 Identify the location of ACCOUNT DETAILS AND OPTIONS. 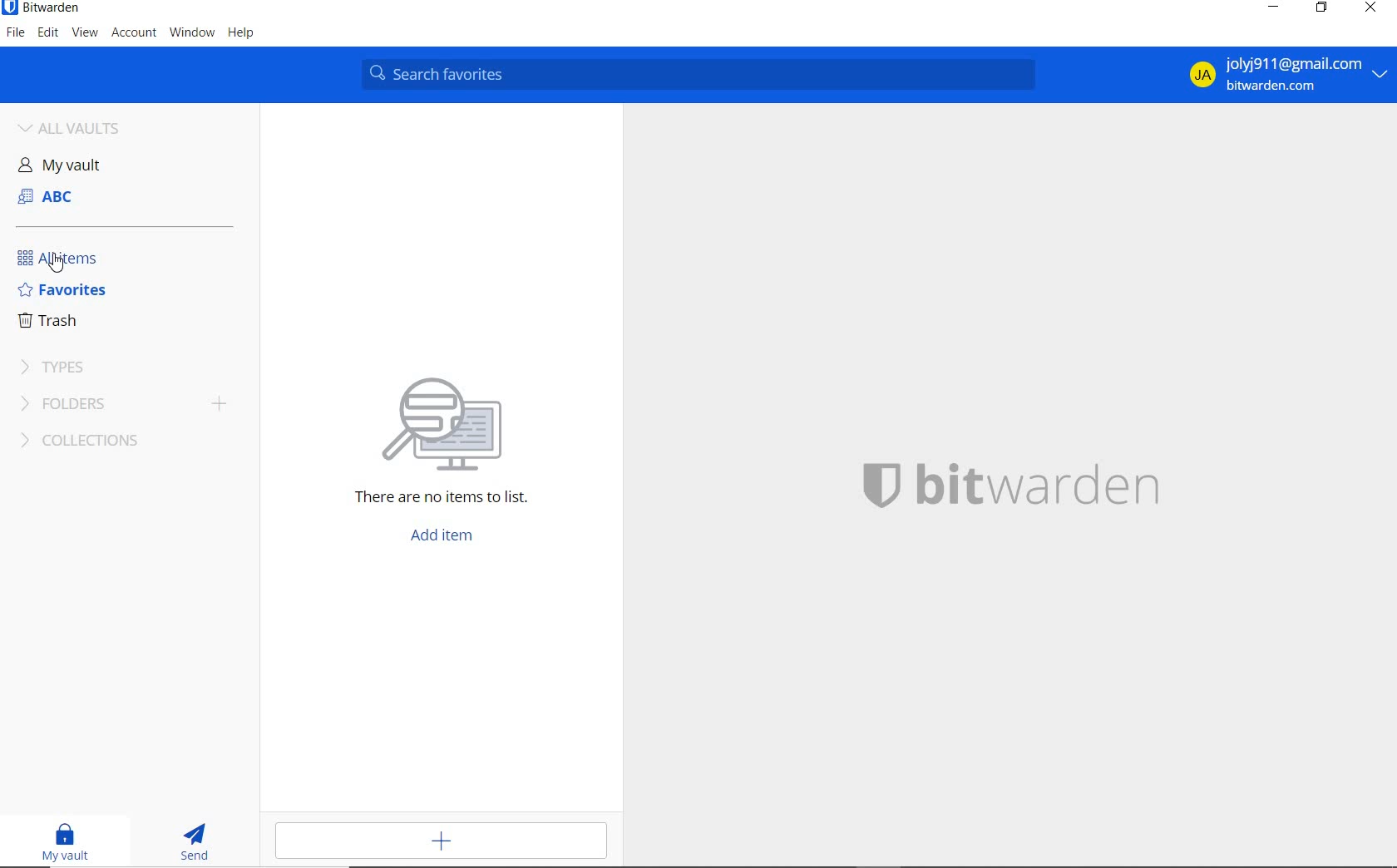
(1282, 75).